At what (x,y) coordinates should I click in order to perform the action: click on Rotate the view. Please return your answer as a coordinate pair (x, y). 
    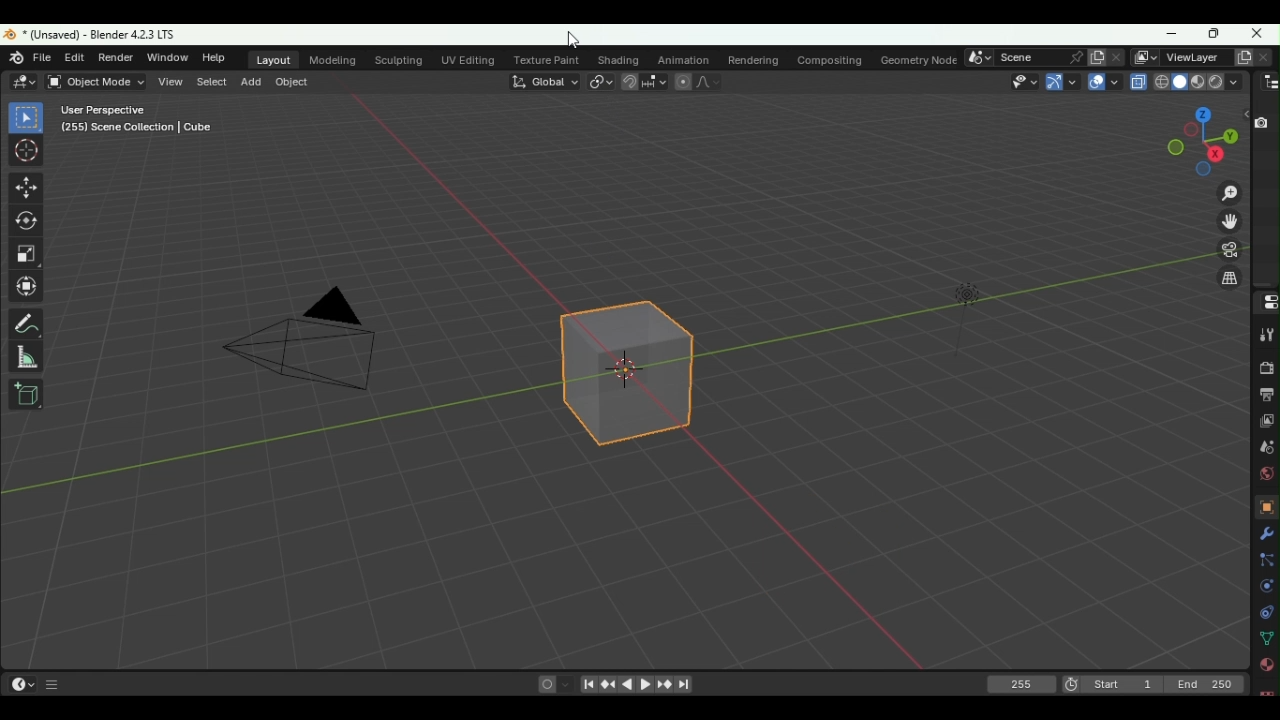
    Looking at the image, I should click on (1191, 130).